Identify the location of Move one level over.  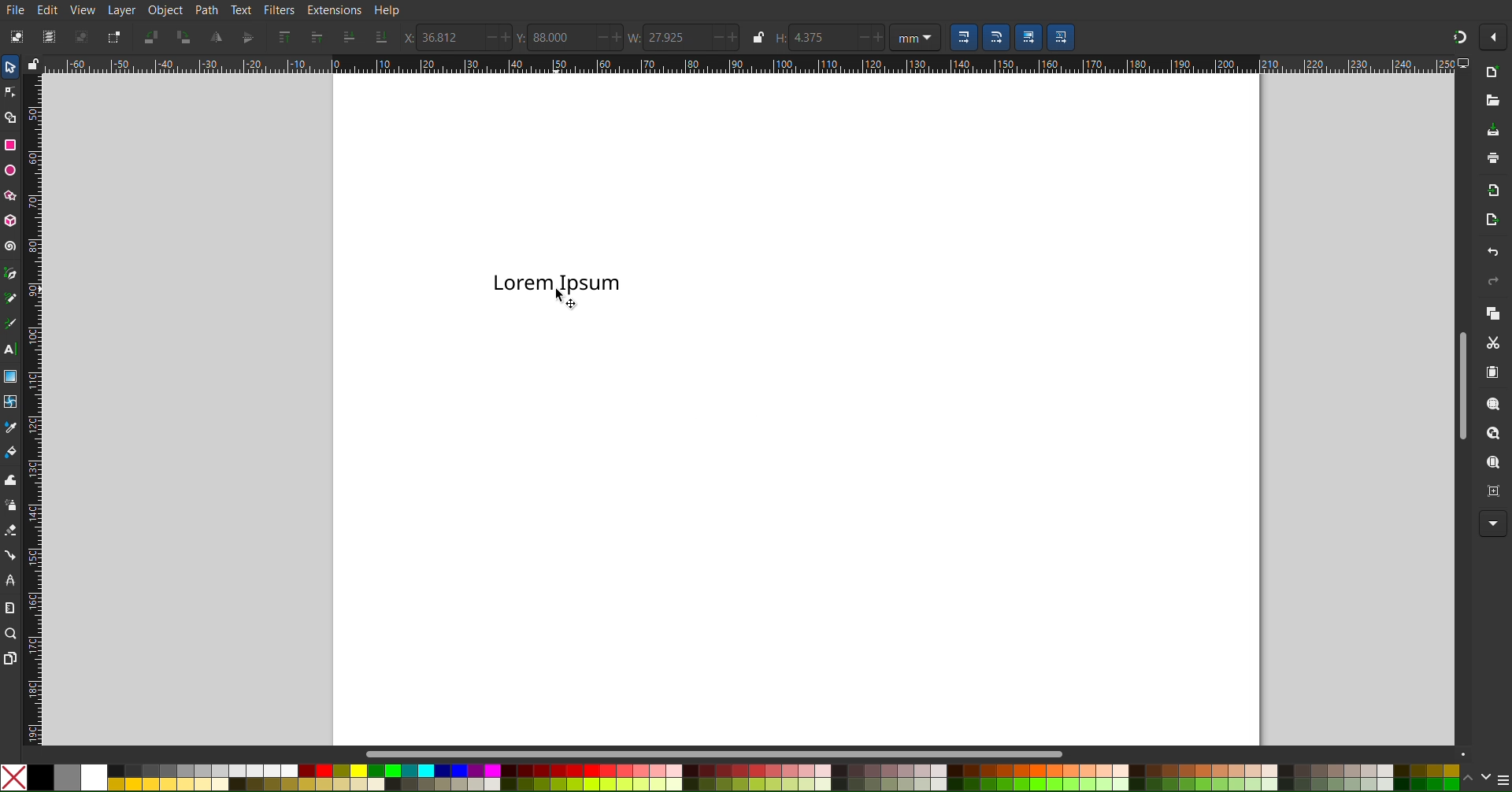
(318, 36).